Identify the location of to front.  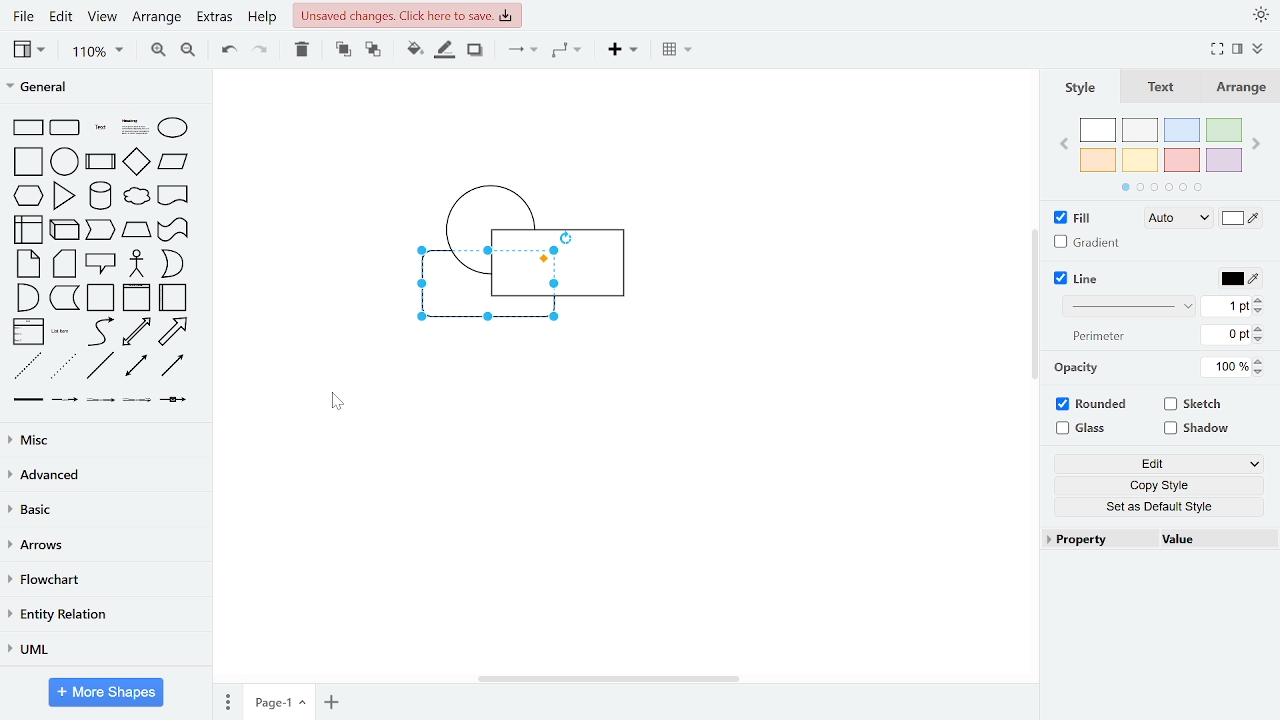
(342, 52).